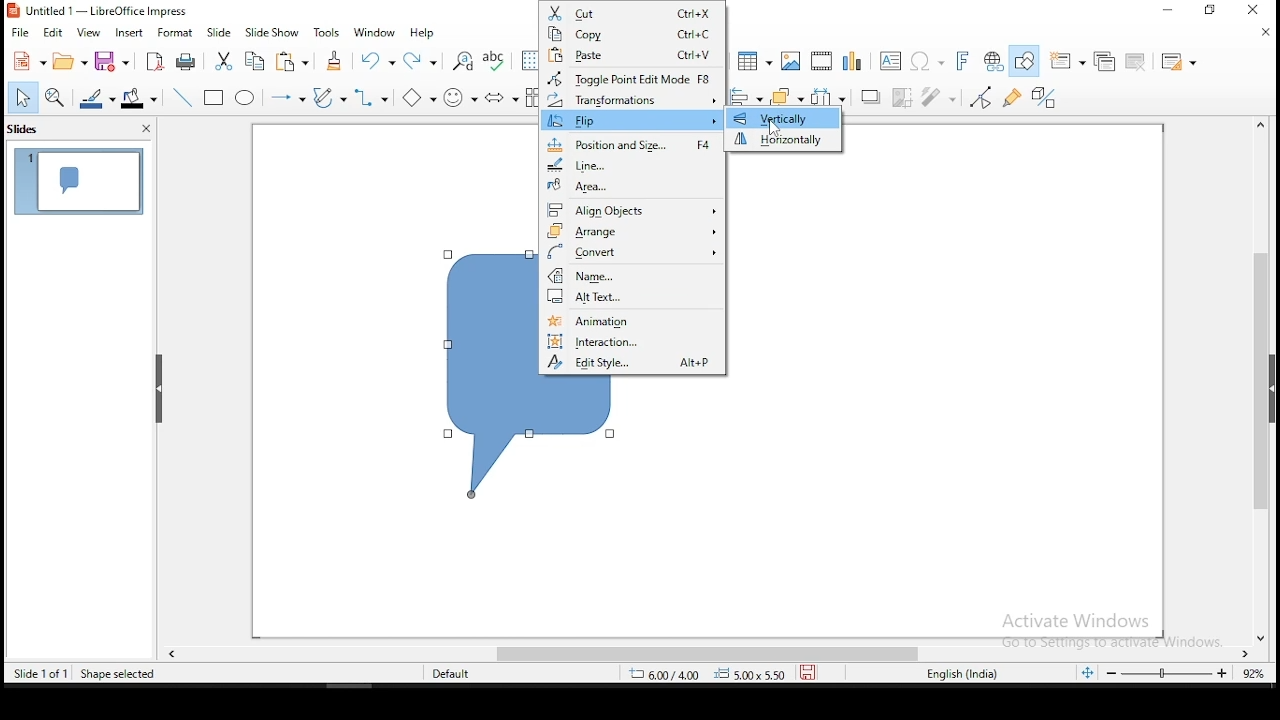  What do you see at coordinates (789, 61) in the screenshot?
I see `image` at bounding box center [789, 61].